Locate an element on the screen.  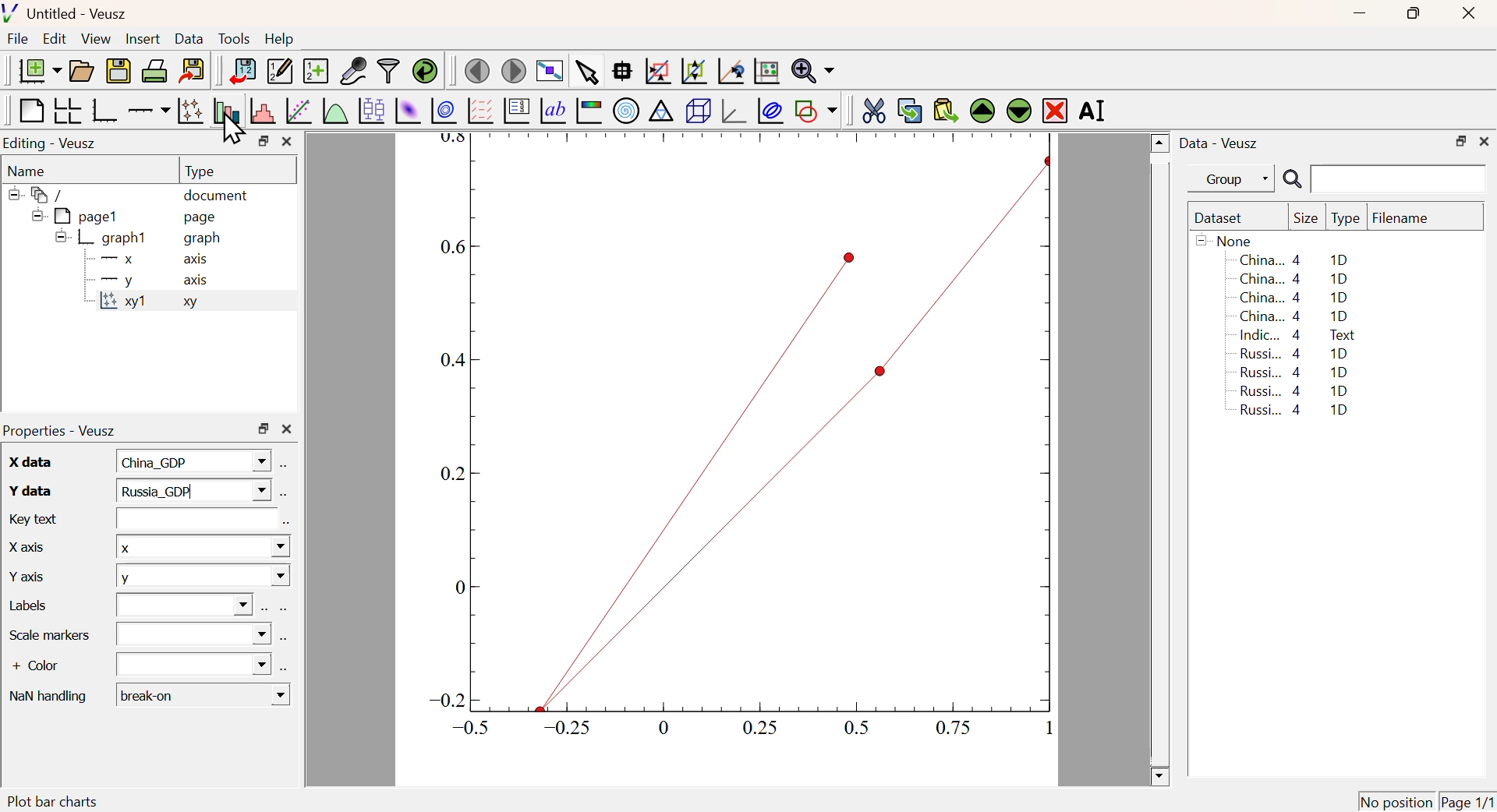
Zoom out graph axis is located at coordinates (693, 69).